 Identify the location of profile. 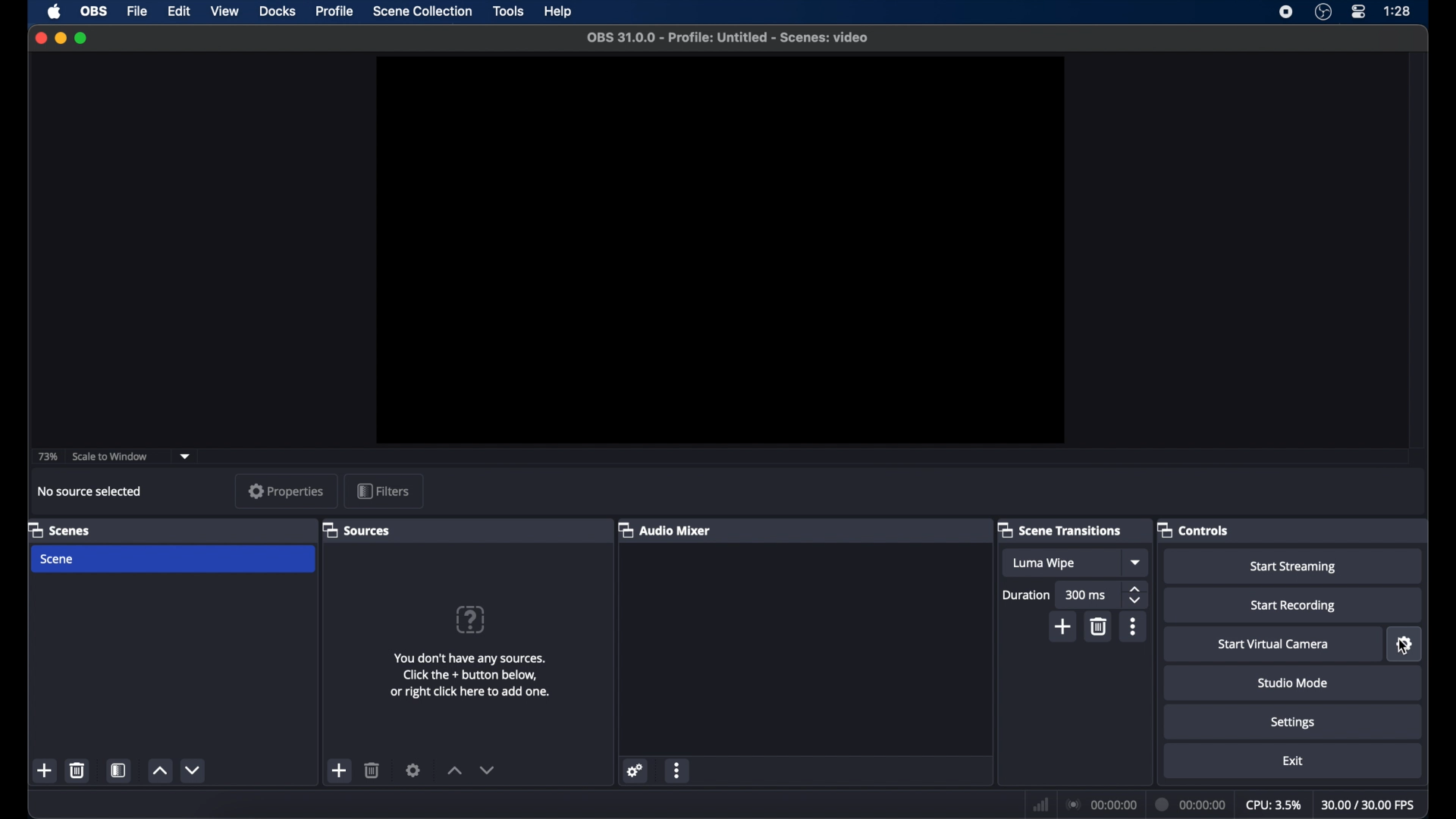
(335, 11).